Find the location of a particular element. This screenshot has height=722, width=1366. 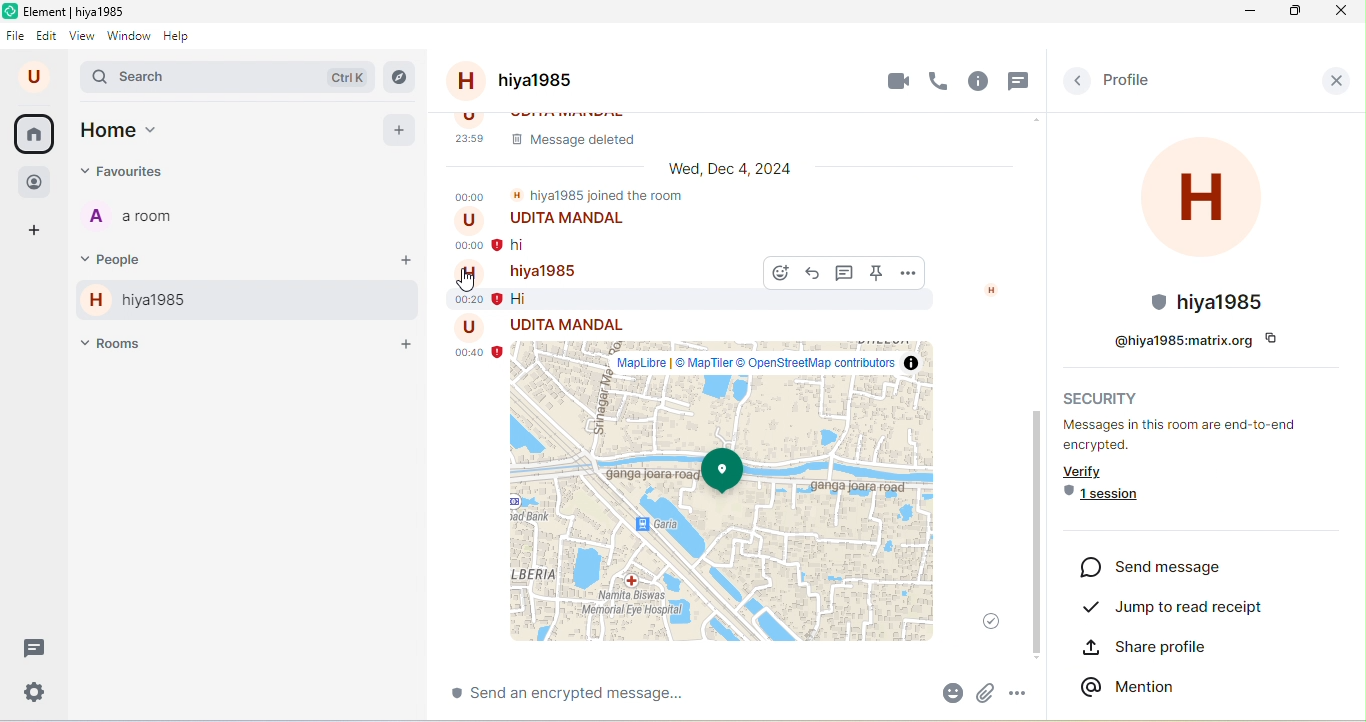

view is located at coordinates (83, 38).